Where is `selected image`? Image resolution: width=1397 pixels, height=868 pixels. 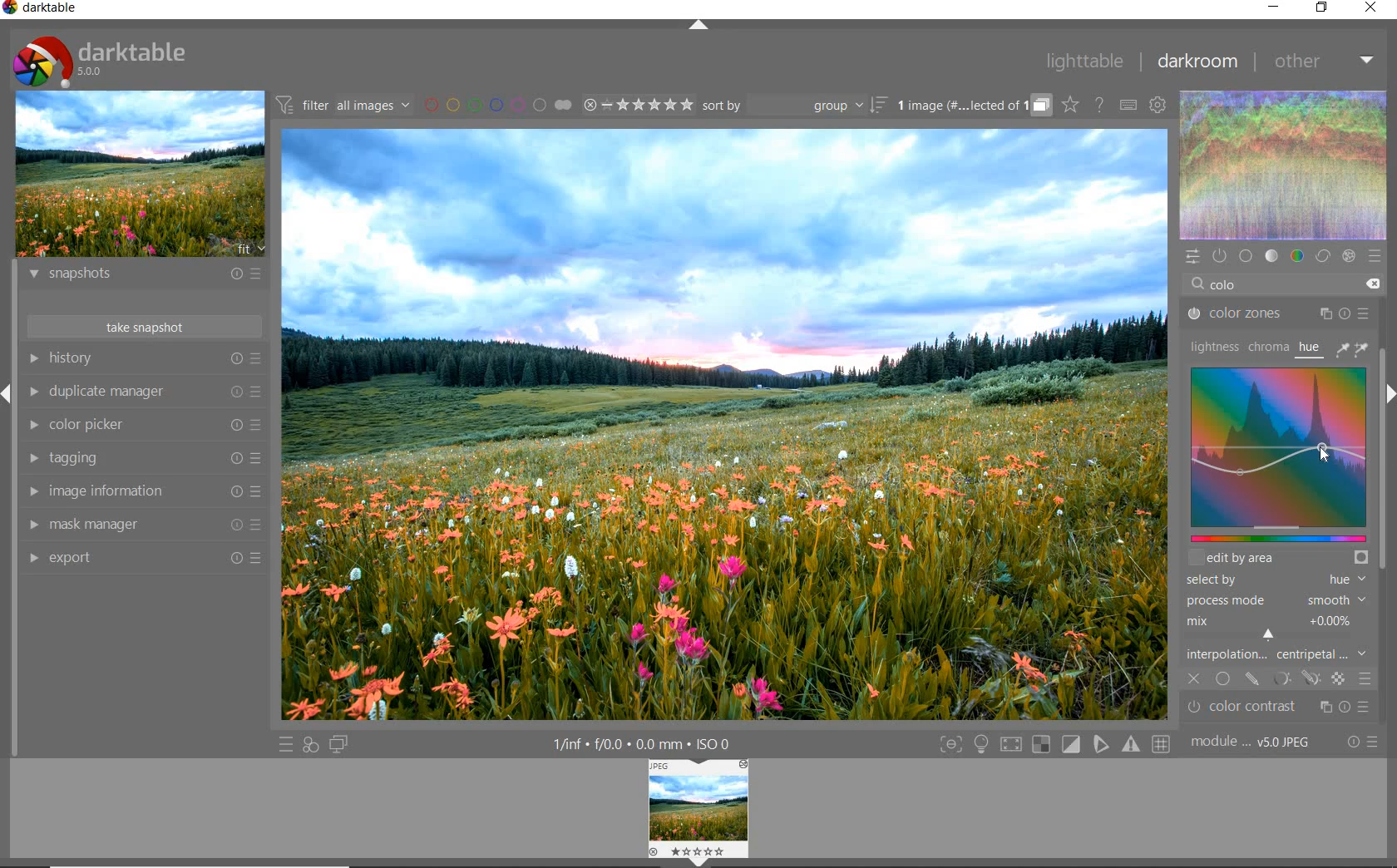 selected image is located at coordinates (728, 423).